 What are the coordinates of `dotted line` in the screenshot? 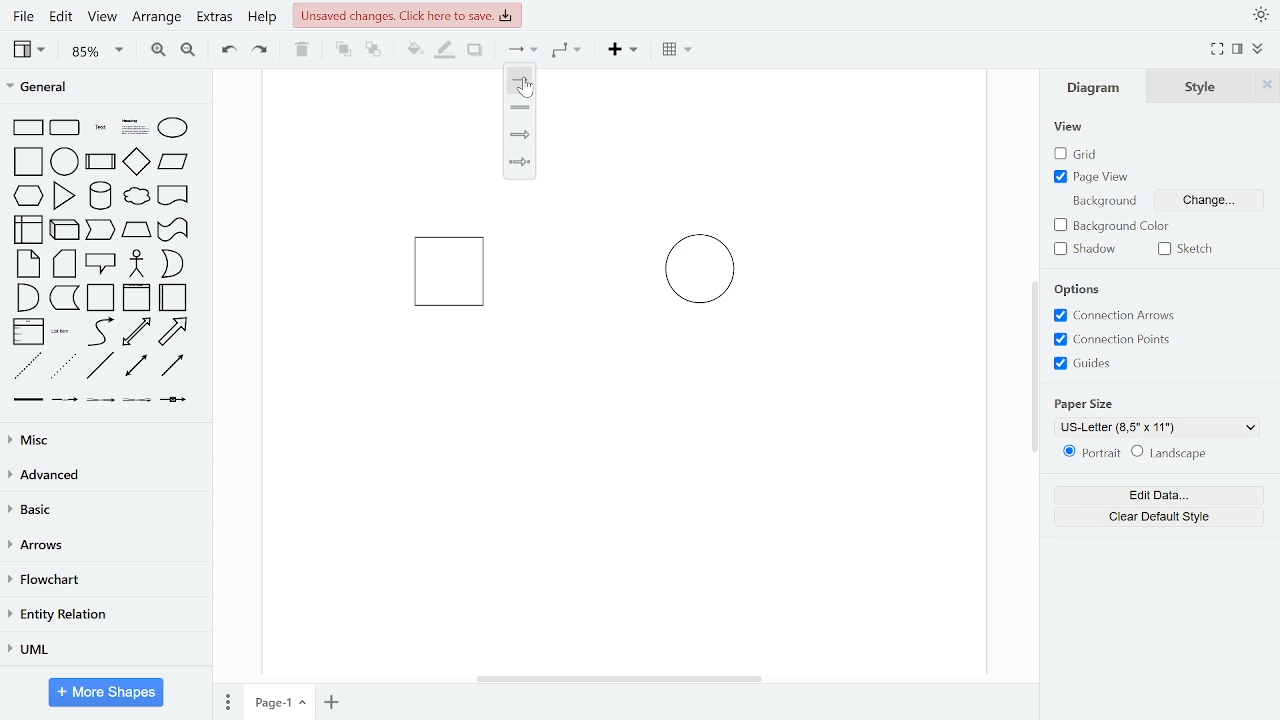 It's located at (63, 367).